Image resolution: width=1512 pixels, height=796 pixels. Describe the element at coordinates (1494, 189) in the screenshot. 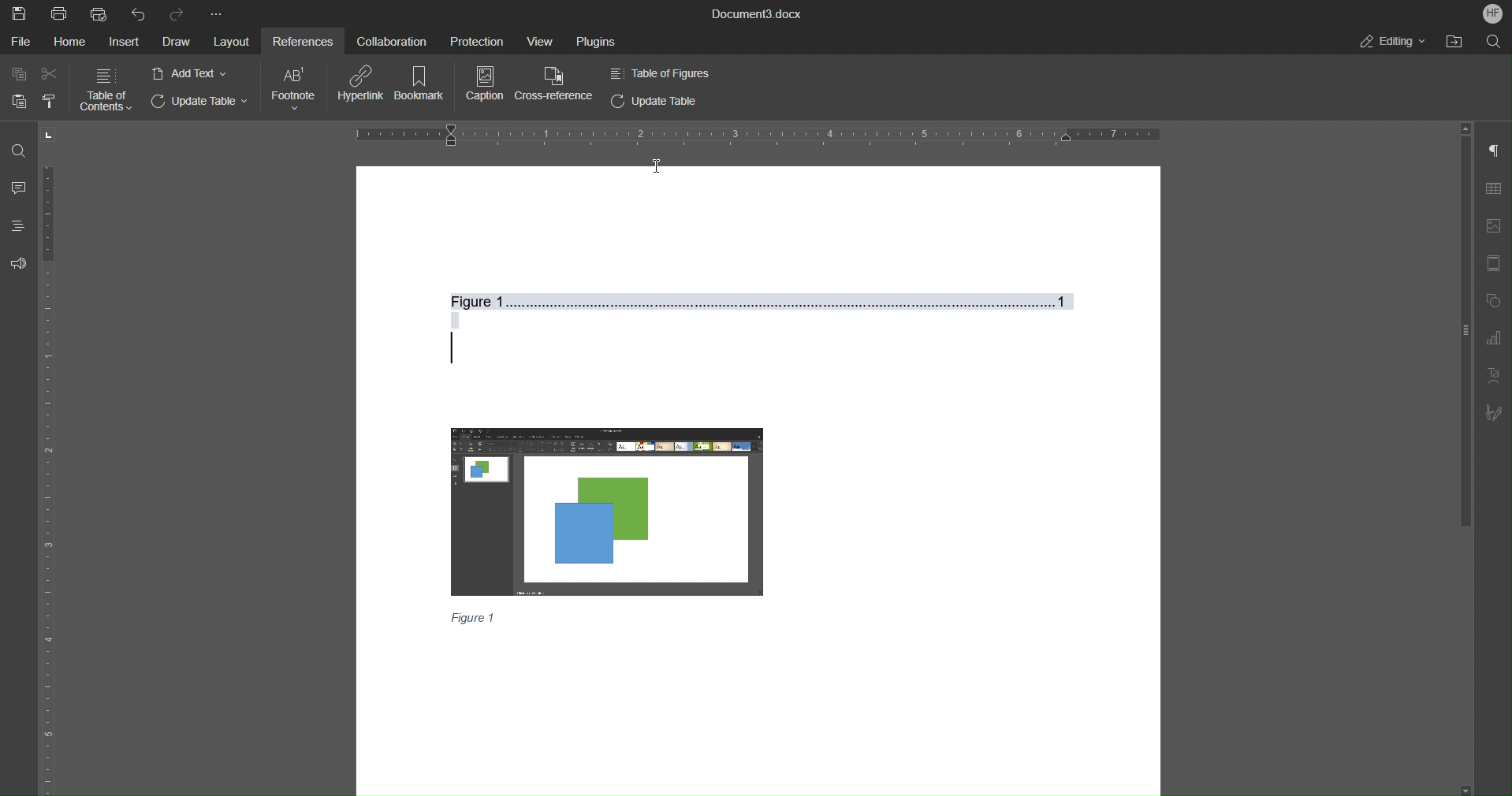

I see `Table Settings` at that location.